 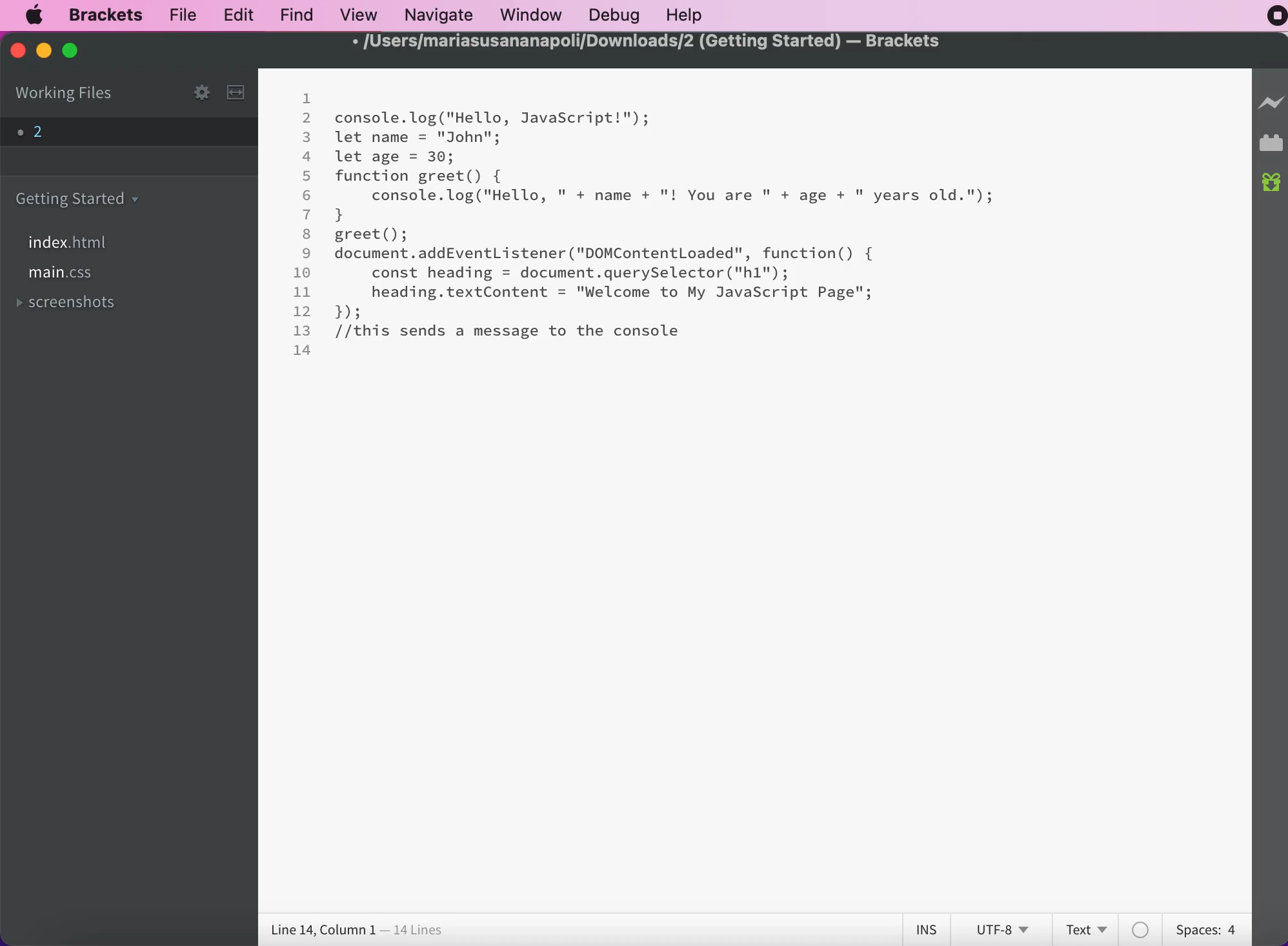 What do you see at coordinates (84, 197) in the screenshot?
I see `getting started folder` at bounding box center [84, 197].